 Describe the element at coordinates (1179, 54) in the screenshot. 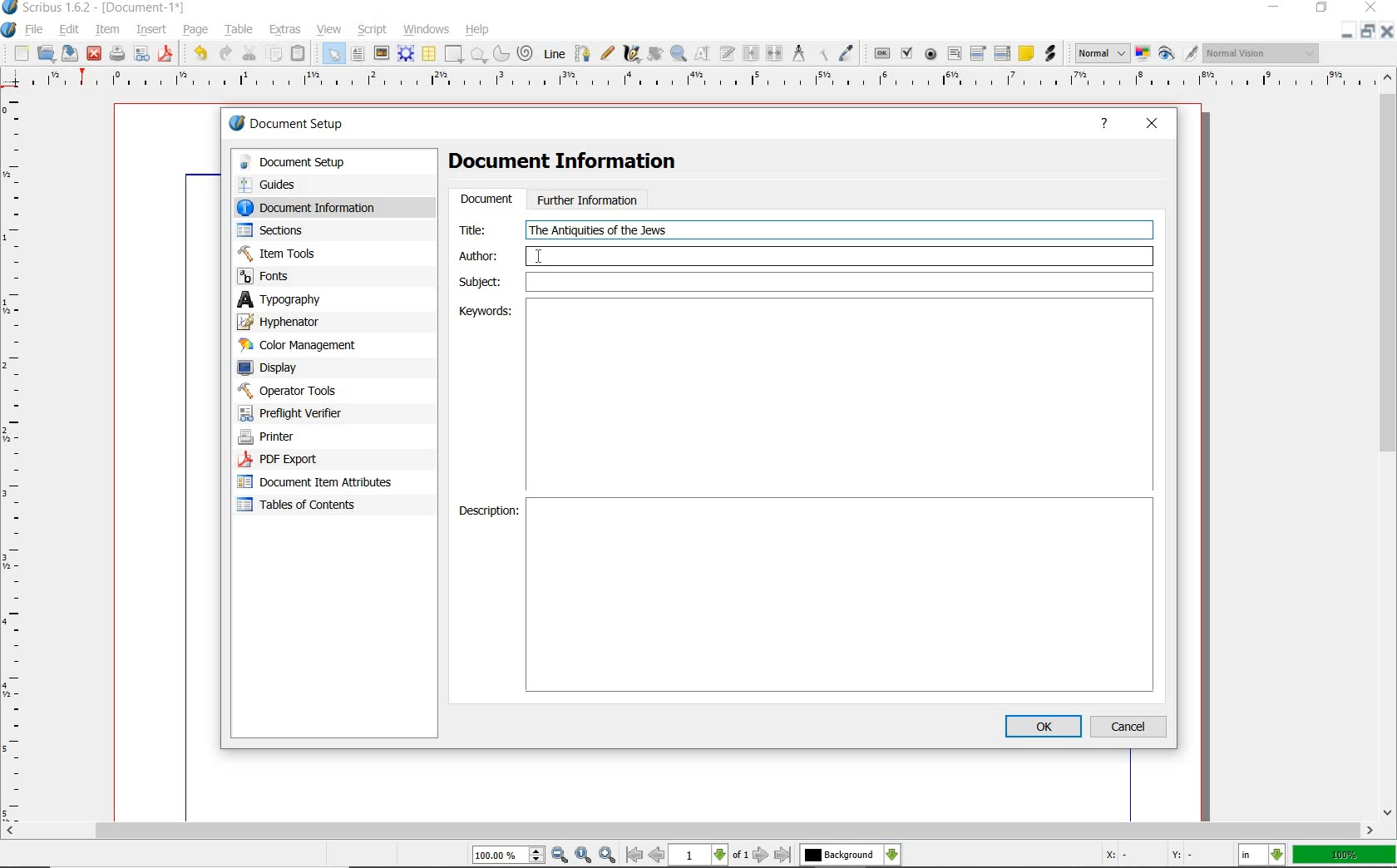

I see `preview mode` at that location.